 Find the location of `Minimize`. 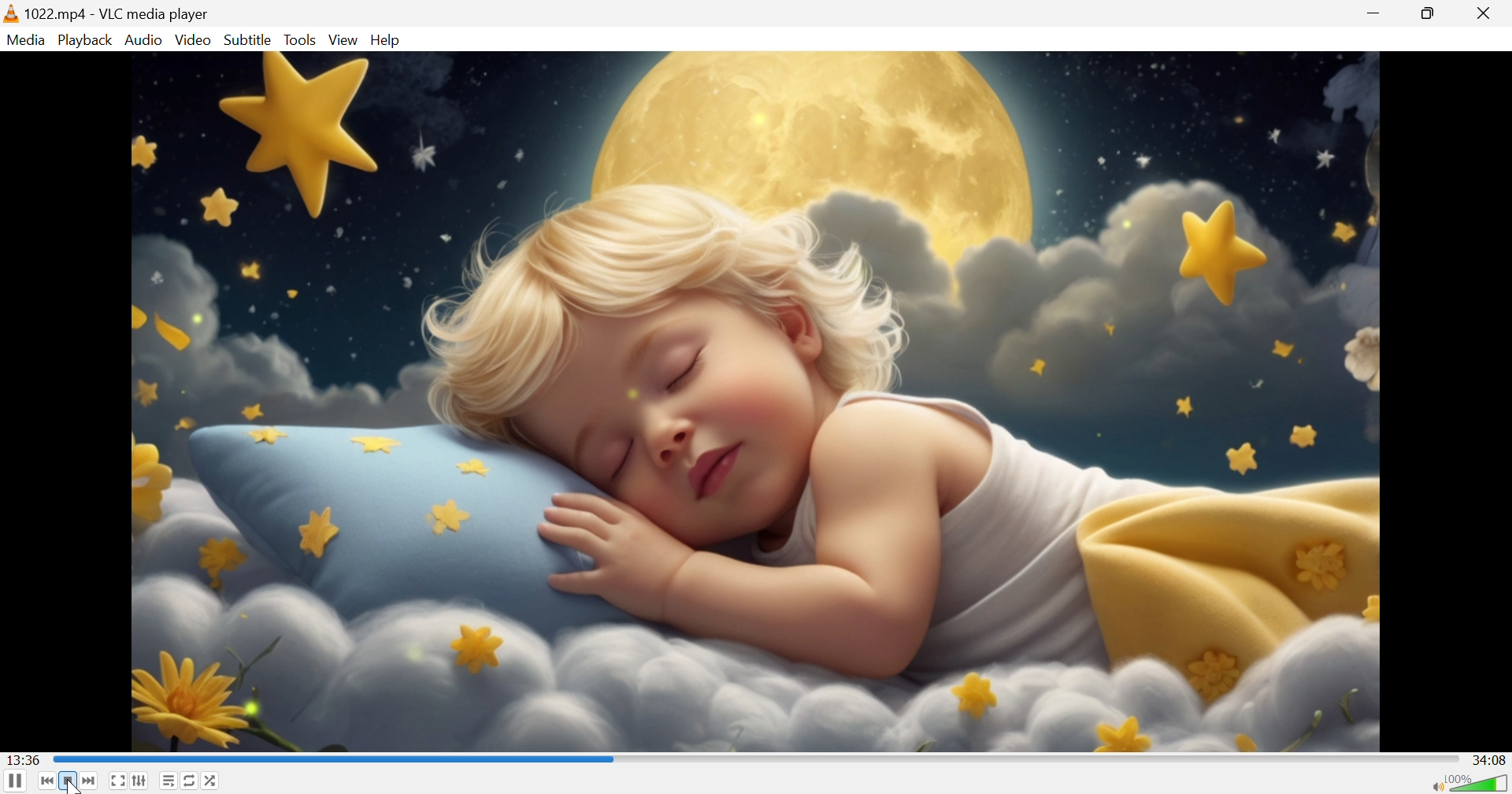

Minimize is located at coordinates (1375, 12).